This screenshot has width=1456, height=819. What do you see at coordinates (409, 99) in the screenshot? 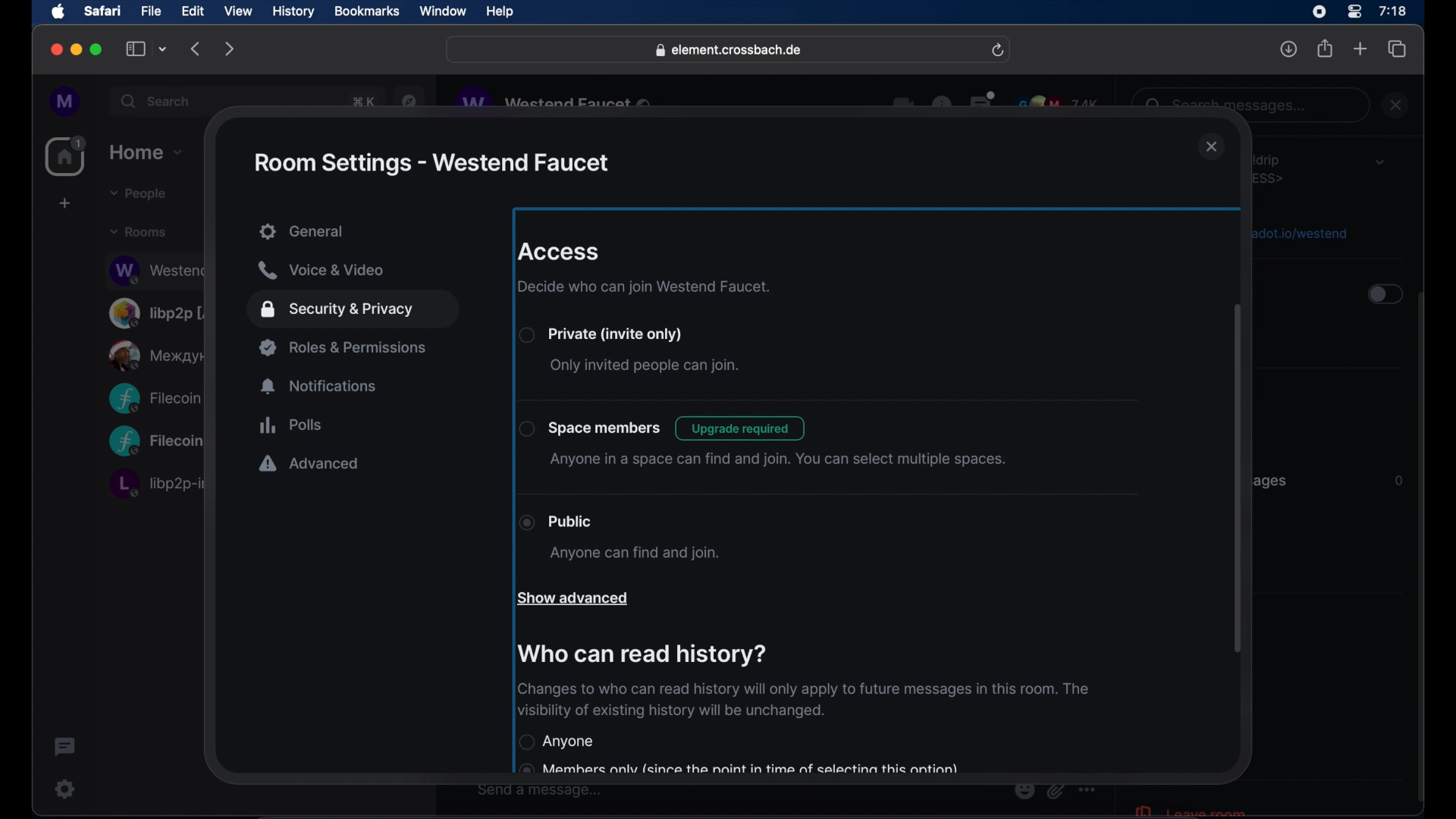
I see `navigation` at bounding box center [409, 99].